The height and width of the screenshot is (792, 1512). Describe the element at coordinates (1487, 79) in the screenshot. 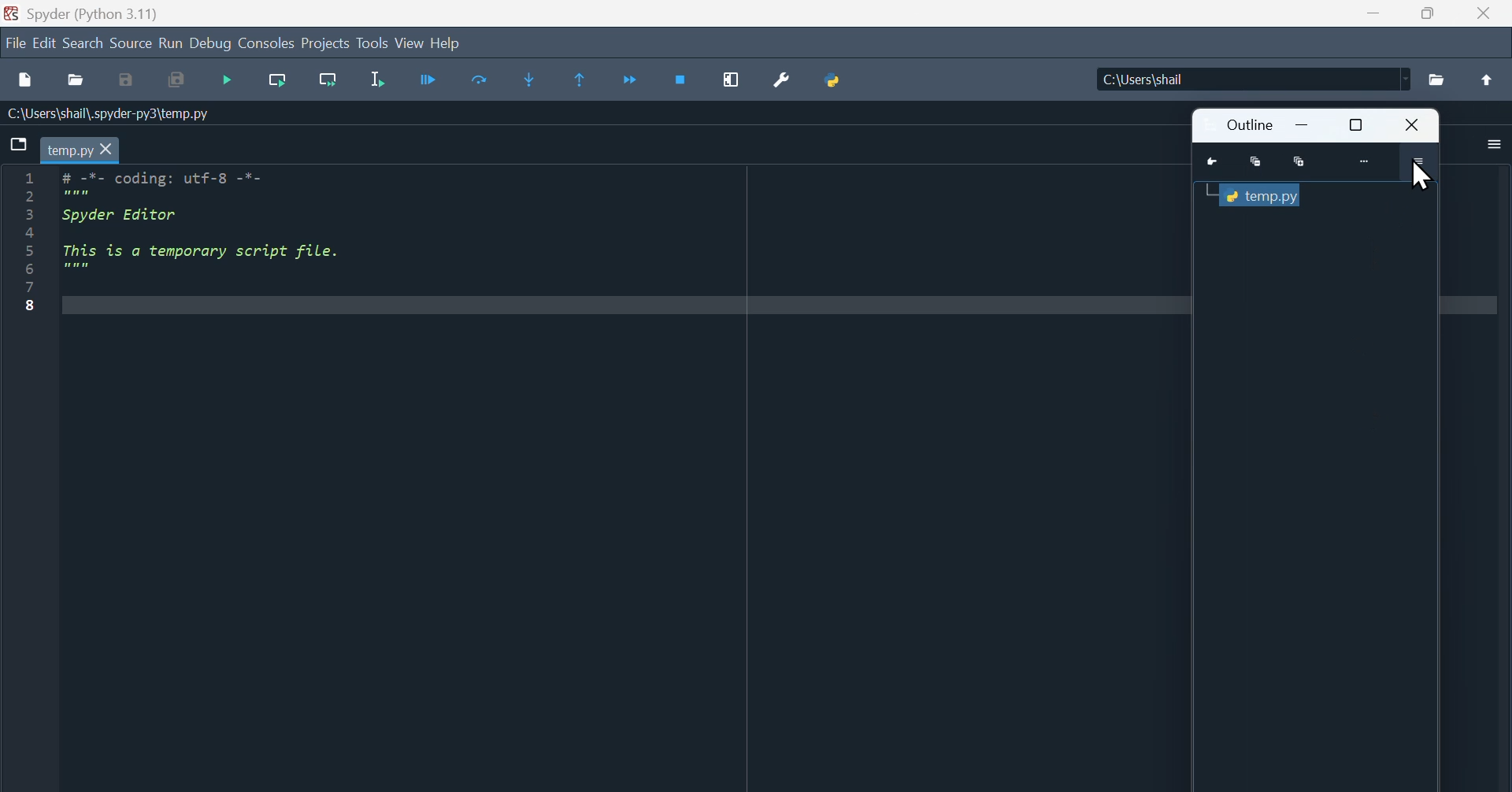

I see `Up to` at that location.